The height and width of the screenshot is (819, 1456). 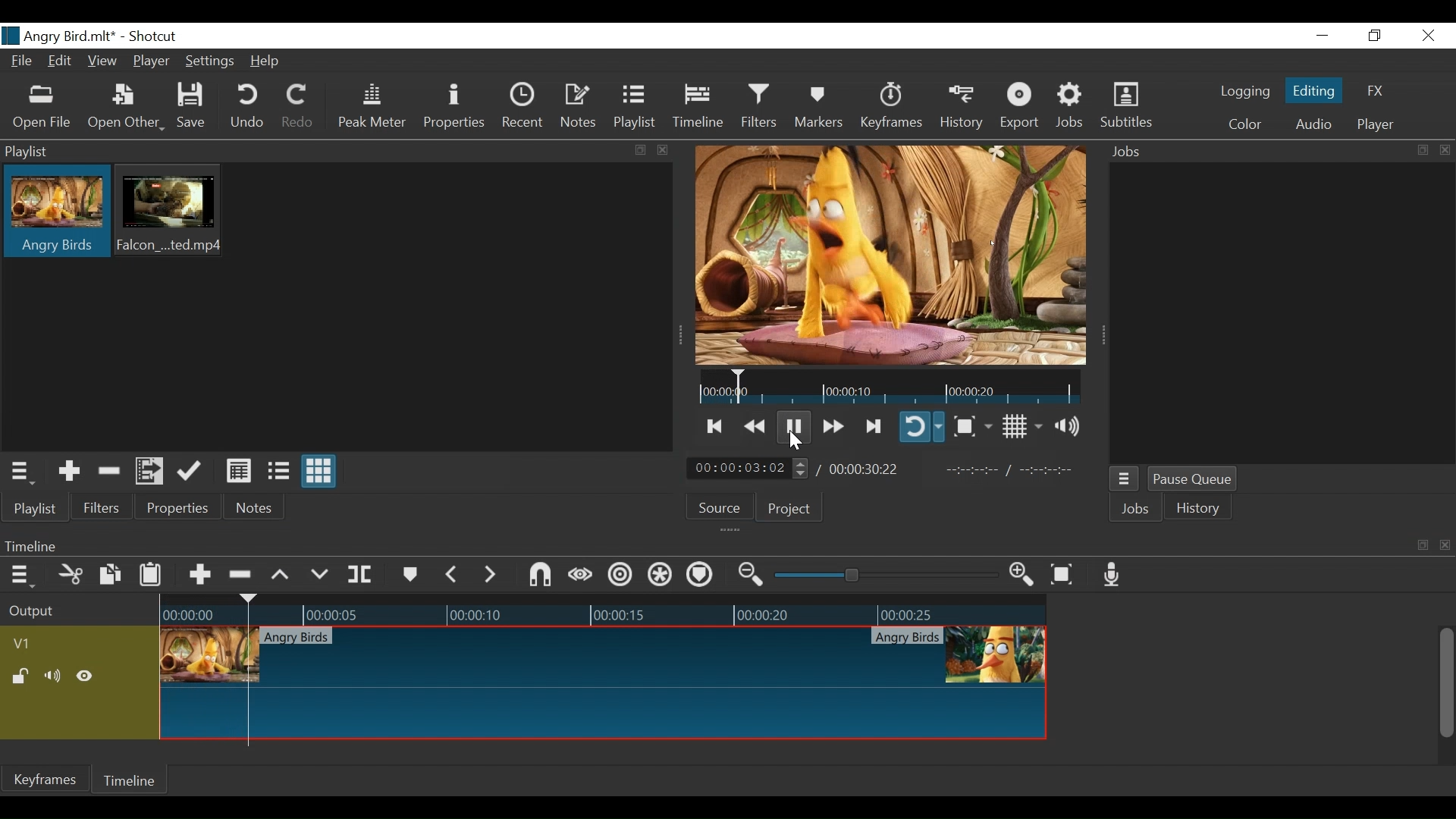 I want to click on Keyframes, so click(x=891, y=107).